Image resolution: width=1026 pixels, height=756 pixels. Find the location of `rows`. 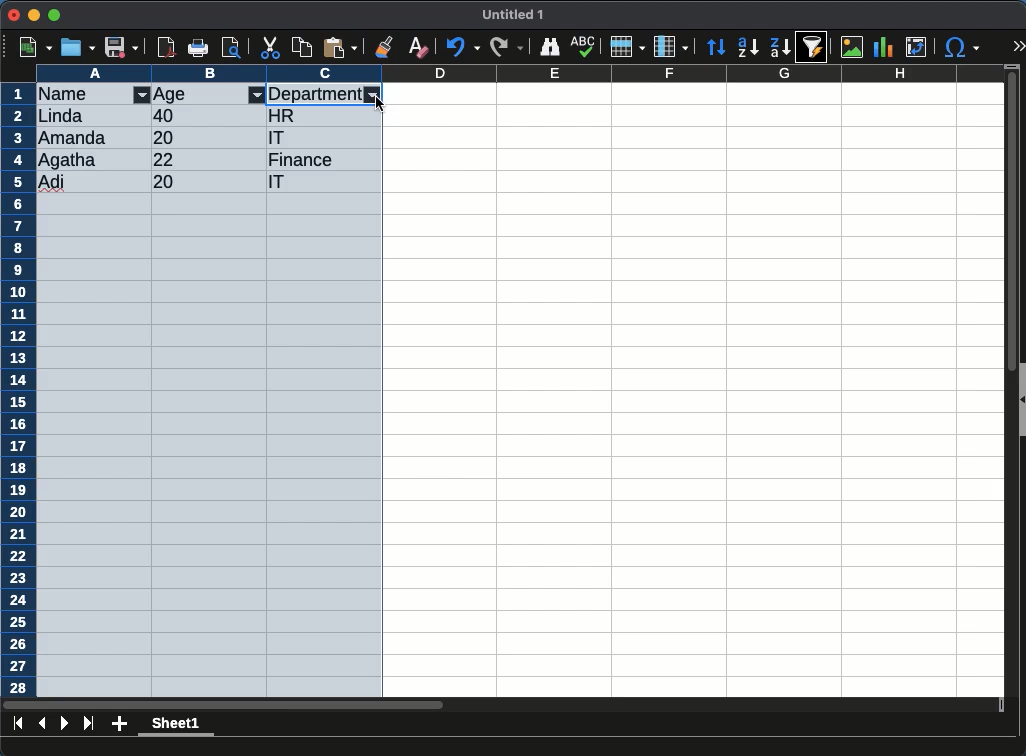

rows is located at coordinates (18, 390).